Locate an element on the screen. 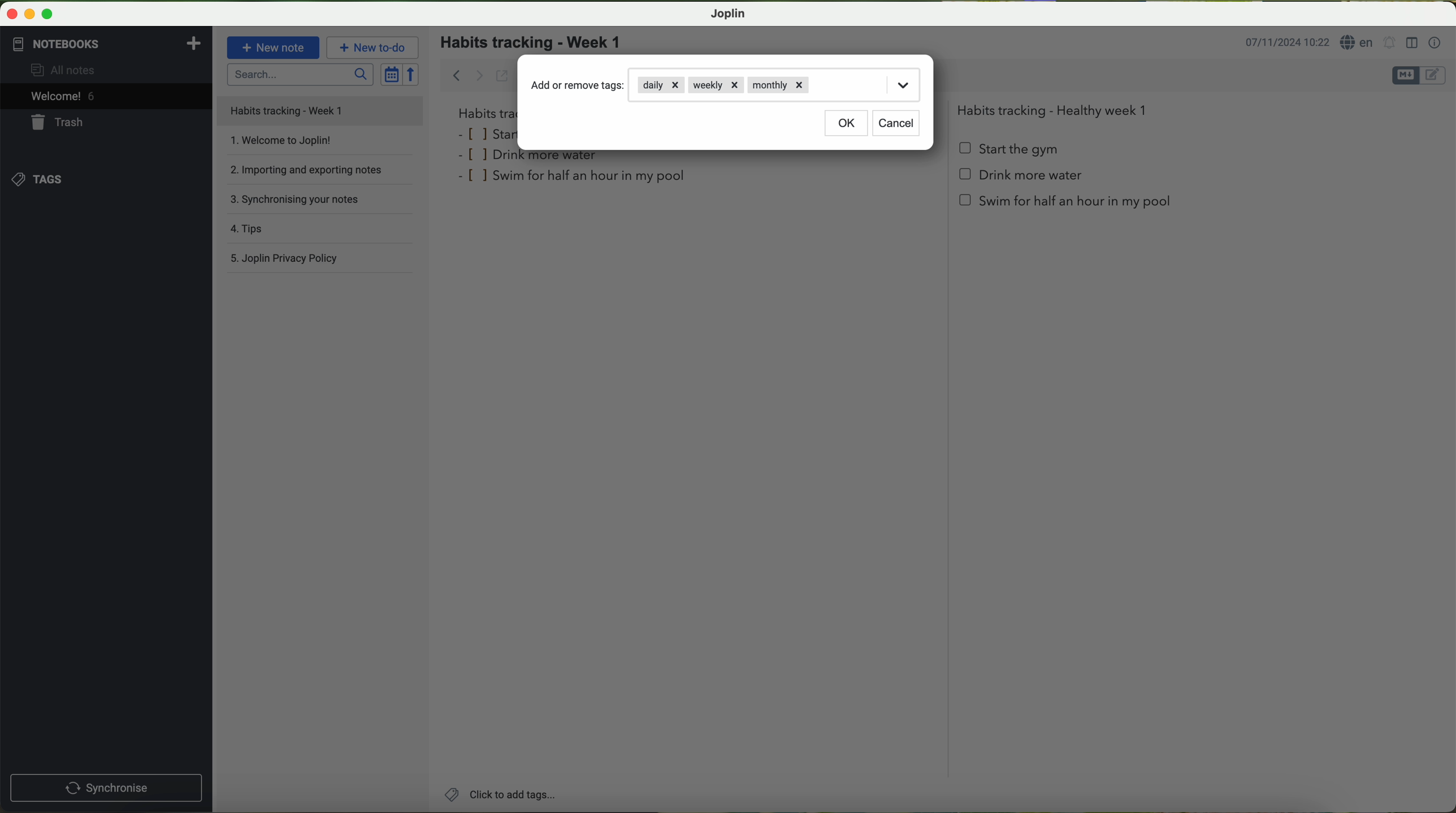  Habits tracking - Healthy week 1 is located at coordinates (1057, 108).